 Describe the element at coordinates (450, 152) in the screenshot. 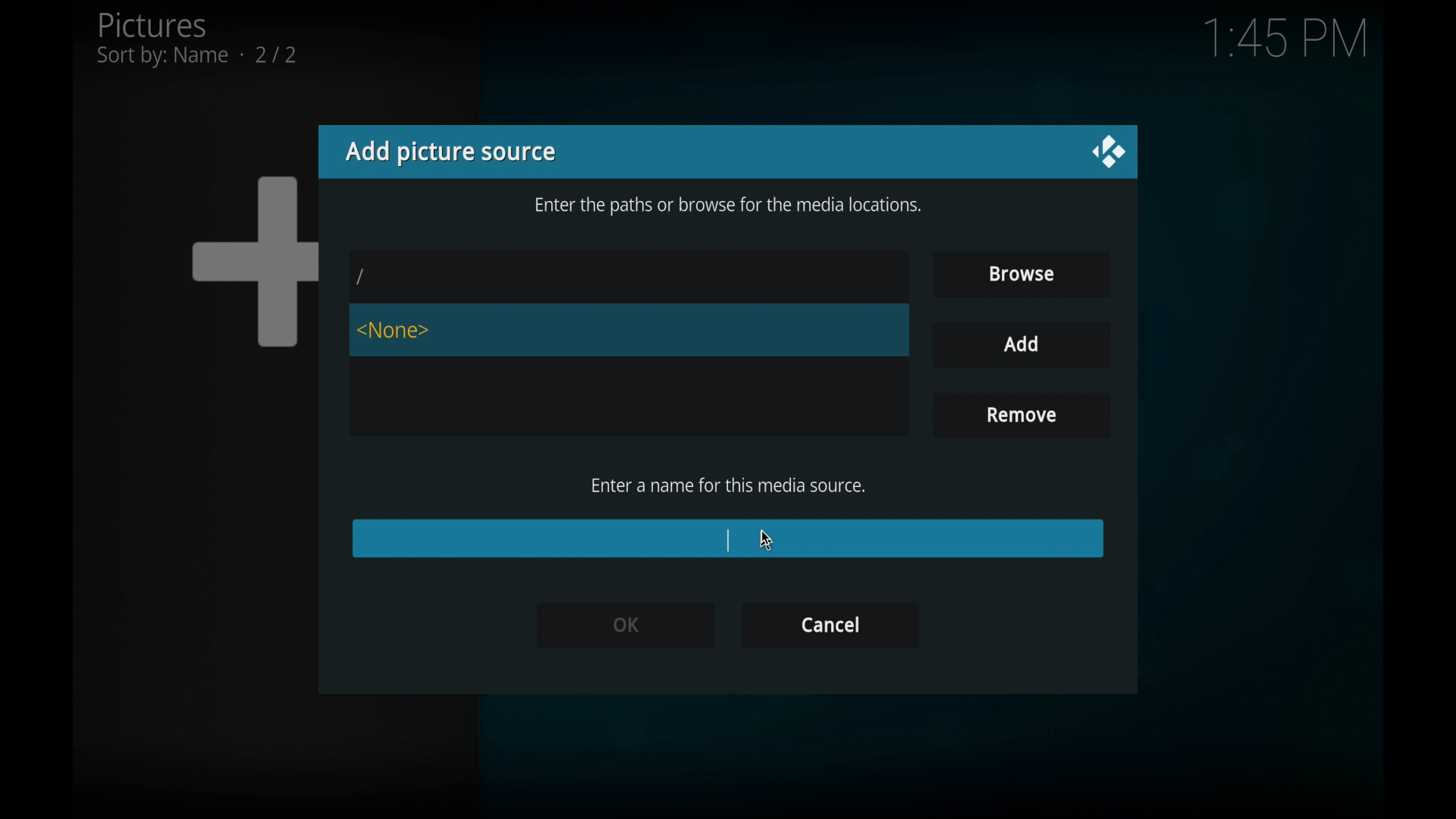

I see `add picture source` at that location.